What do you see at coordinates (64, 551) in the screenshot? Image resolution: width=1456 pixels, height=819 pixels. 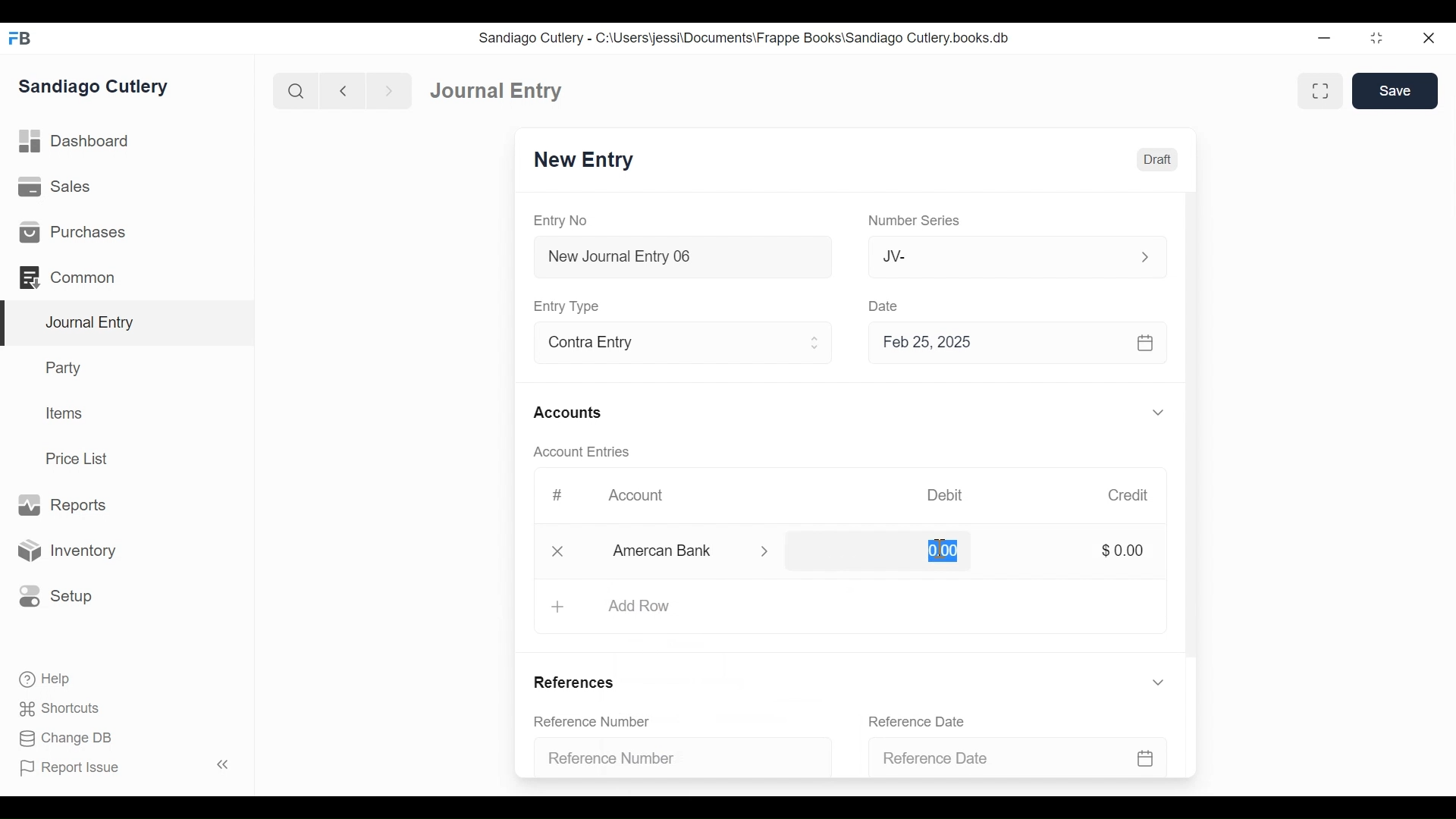 I see `Inventory` at bounding box center [64, 551].